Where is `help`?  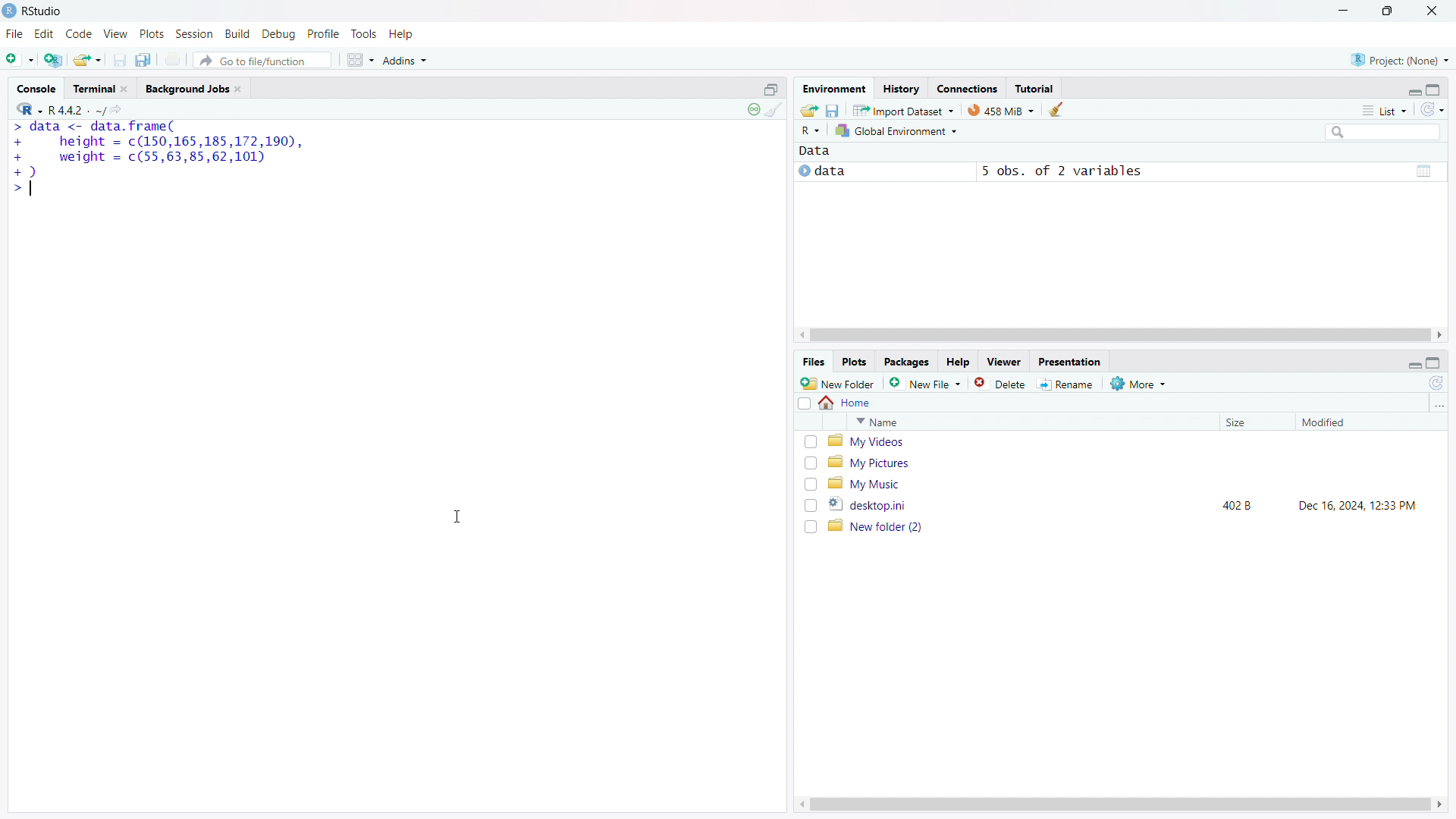 help is located at coordinates (958, 362).